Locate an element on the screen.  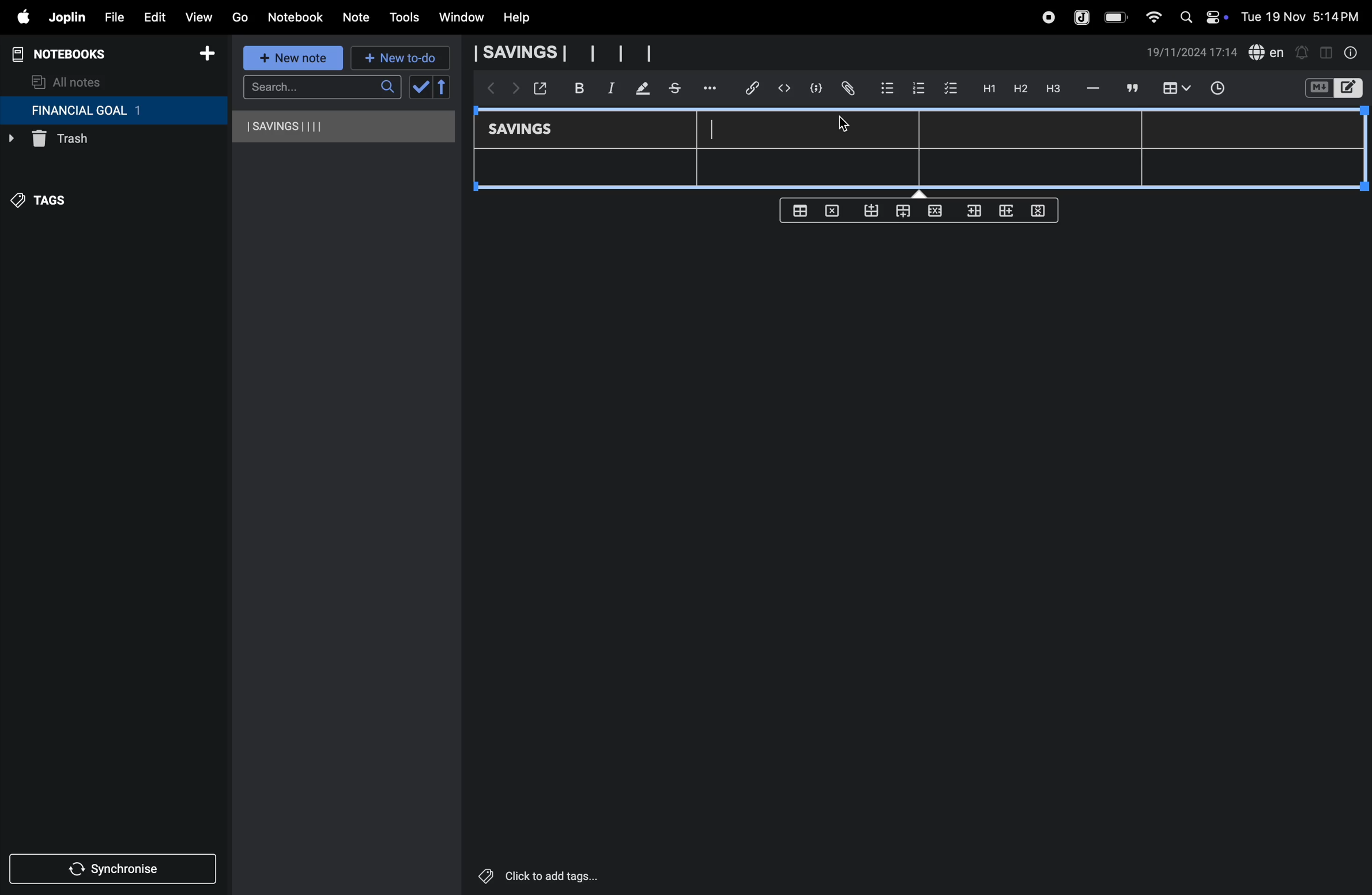
apple widgets is located at coordinates (1201, 16).